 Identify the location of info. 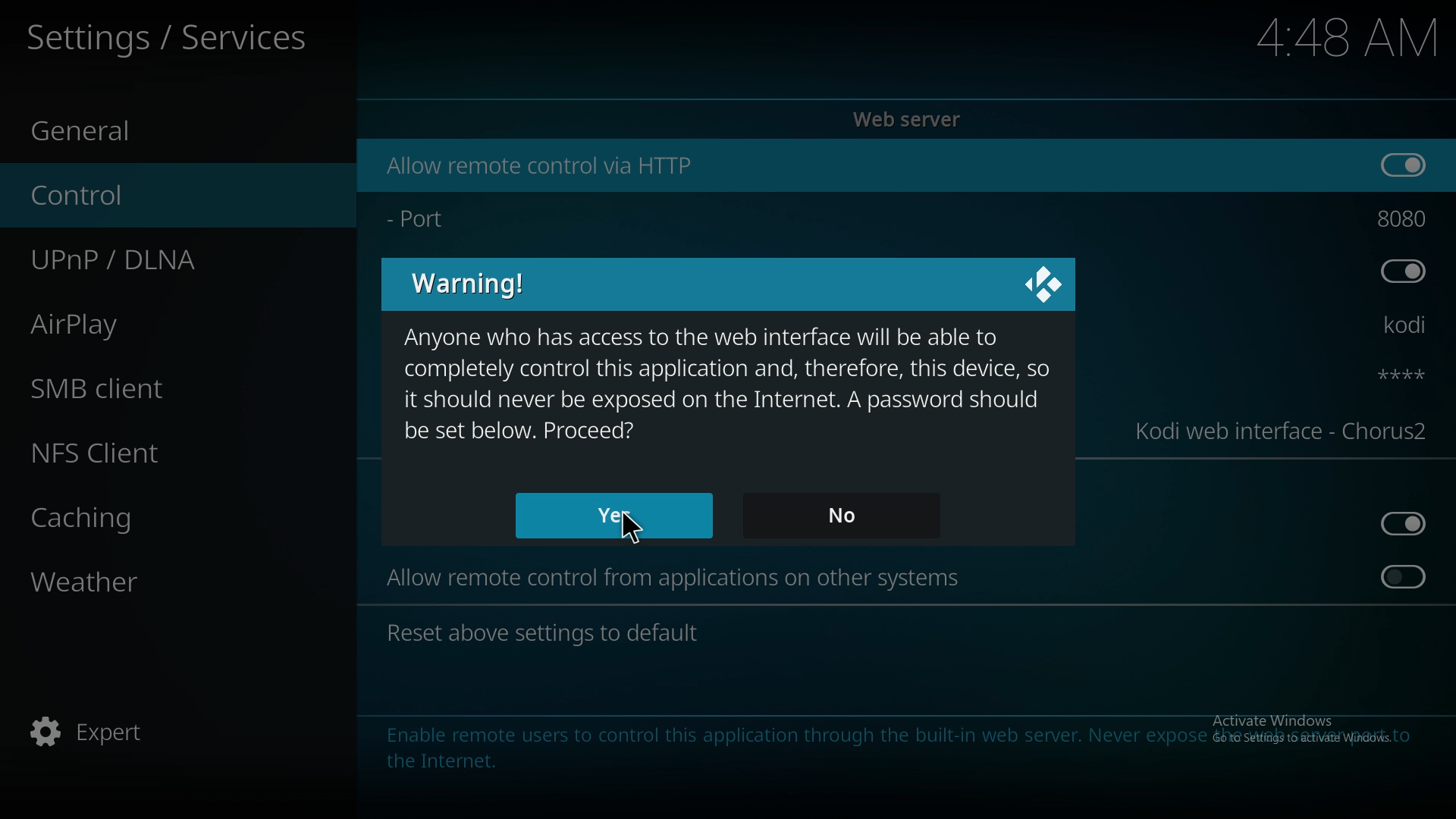
(899, 747).